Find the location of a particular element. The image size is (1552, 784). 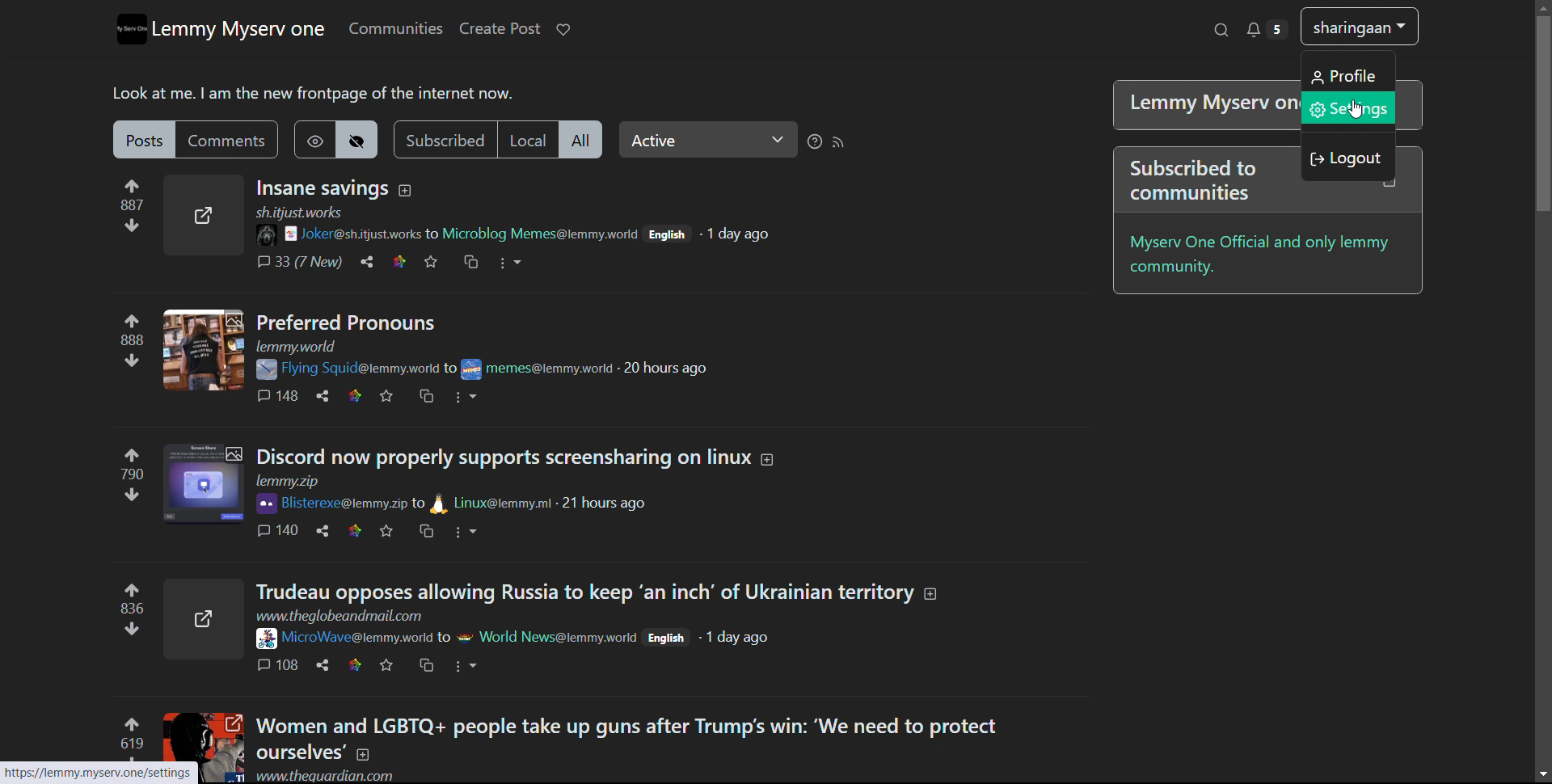

share is located at coordinates (322, 395).